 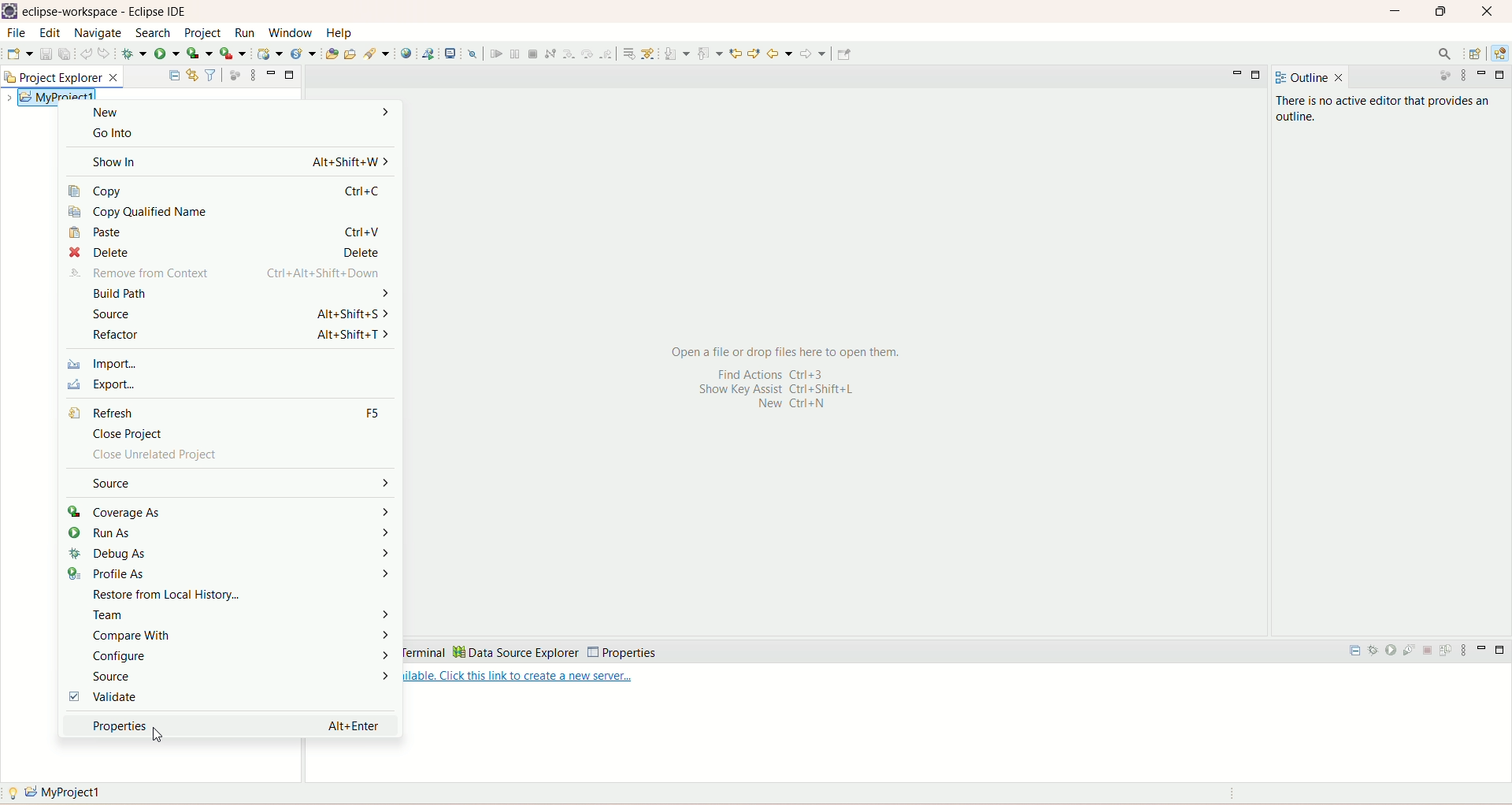 What do you see at coordinates (608, 53) in the screenshot?
I see `step return` at bounding box center [608, 53].